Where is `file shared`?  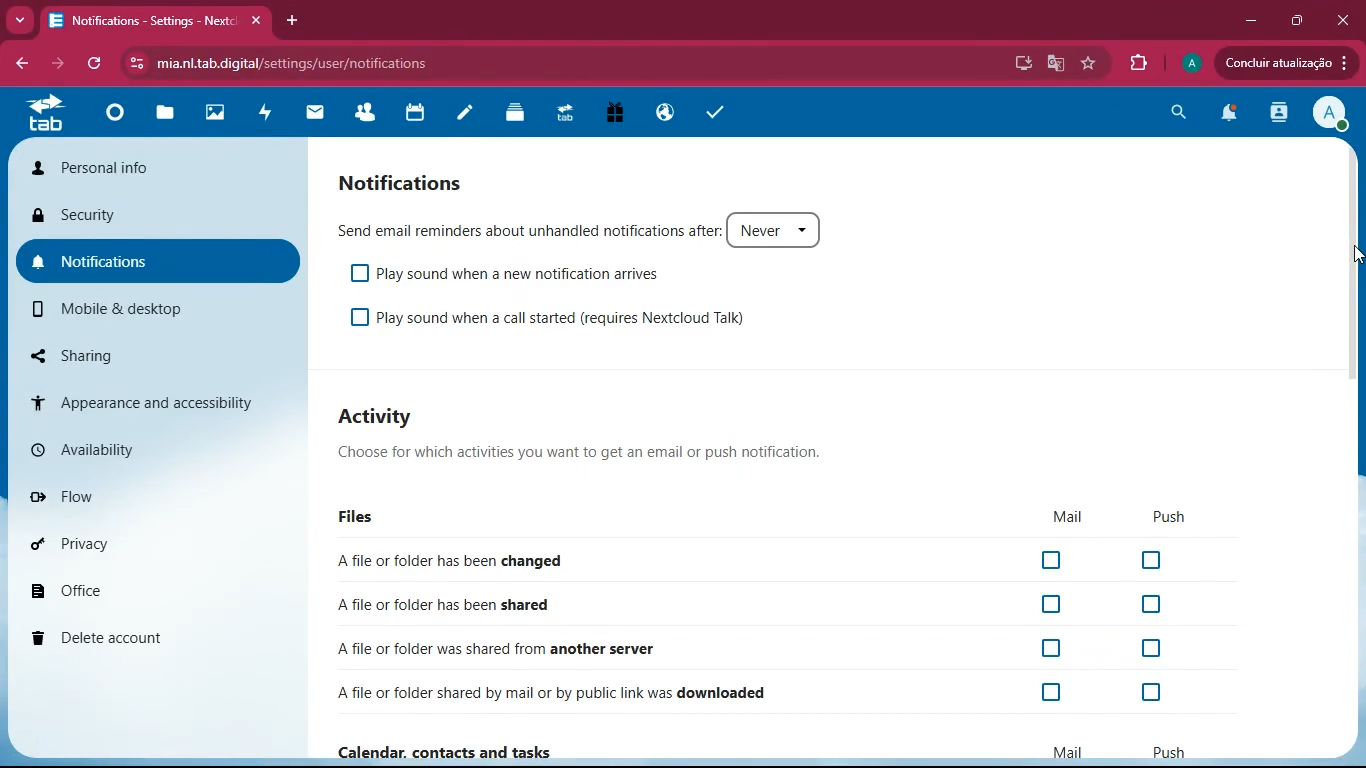 file shared is located at coordinates (437, 606).